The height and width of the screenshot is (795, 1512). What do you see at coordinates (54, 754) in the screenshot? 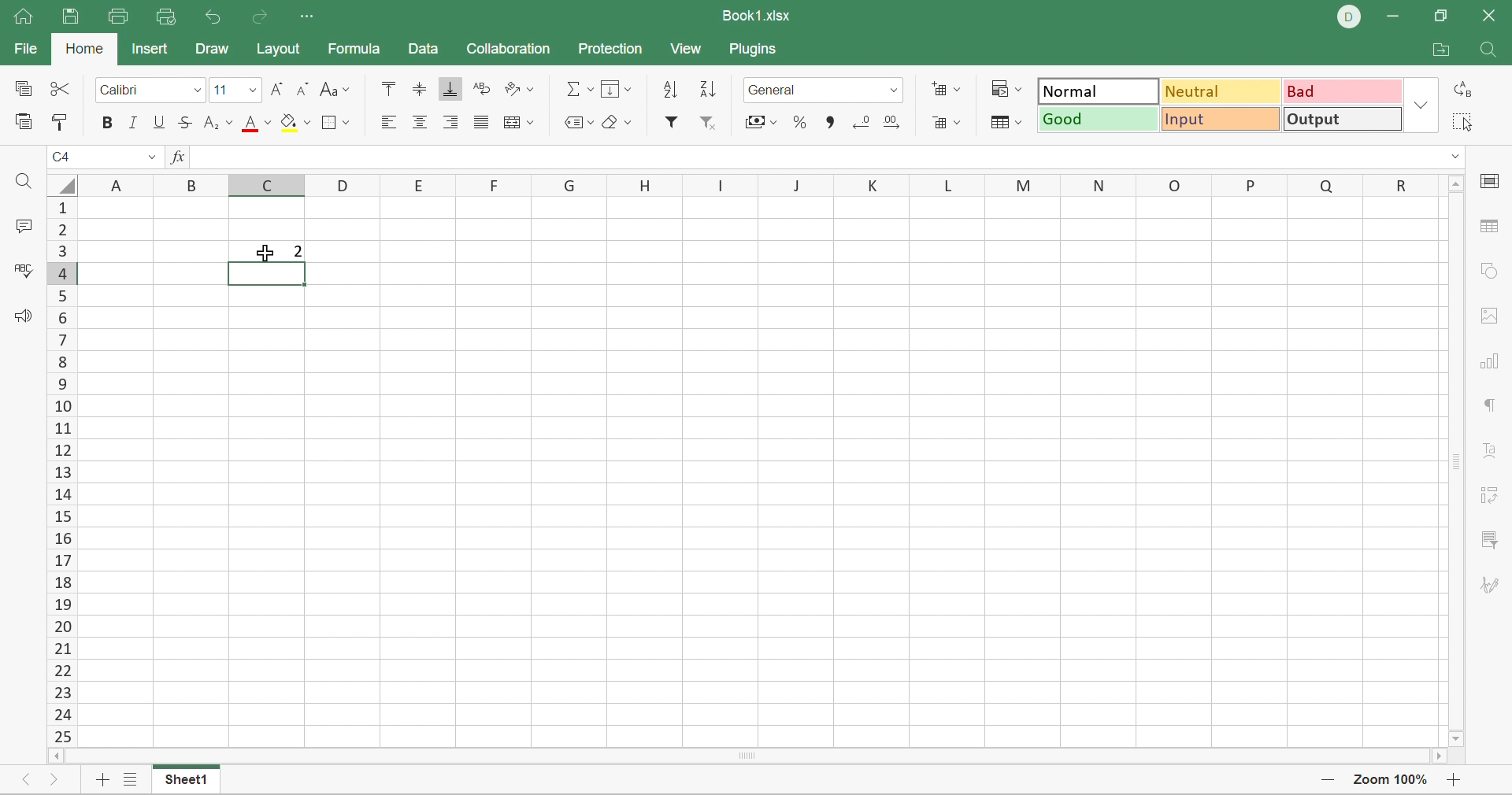
I see `Scroll Left` at bounding box center [54, 754].